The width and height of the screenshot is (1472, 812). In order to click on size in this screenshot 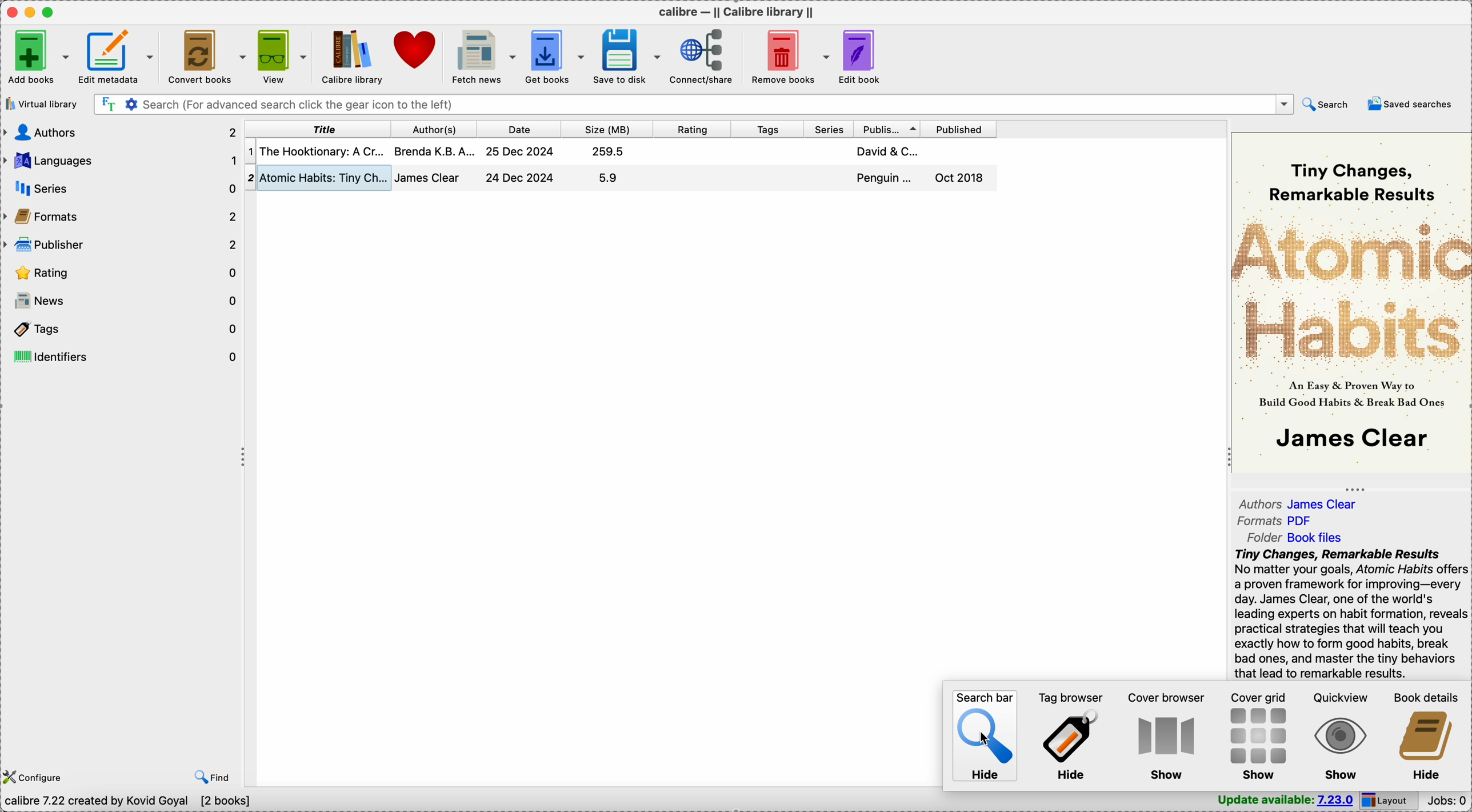, I will do `click(606, 130)`.